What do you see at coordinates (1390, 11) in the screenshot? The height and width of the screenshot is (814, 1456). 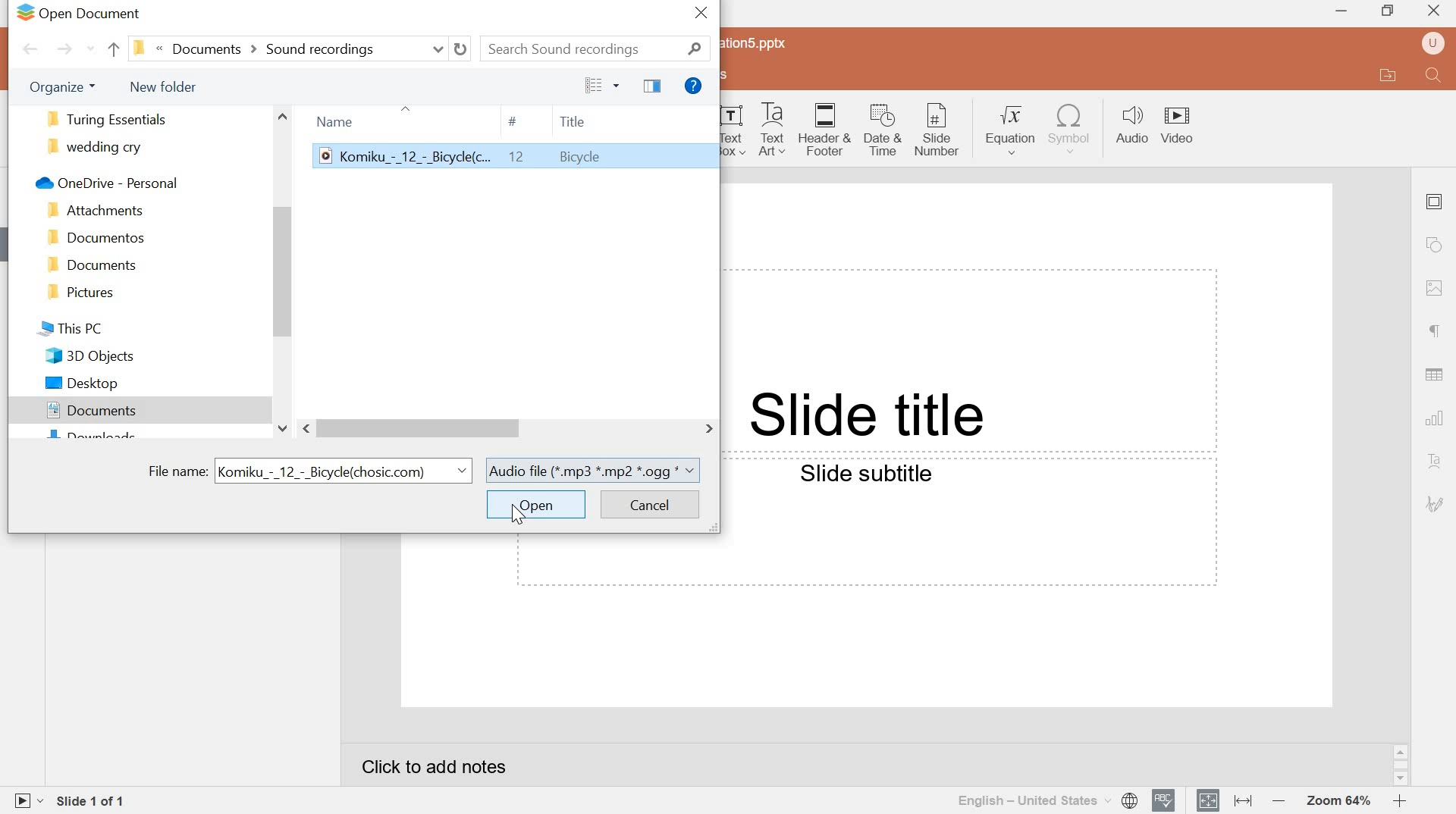 I see `Restore down` at bounding box center [1390, 11].